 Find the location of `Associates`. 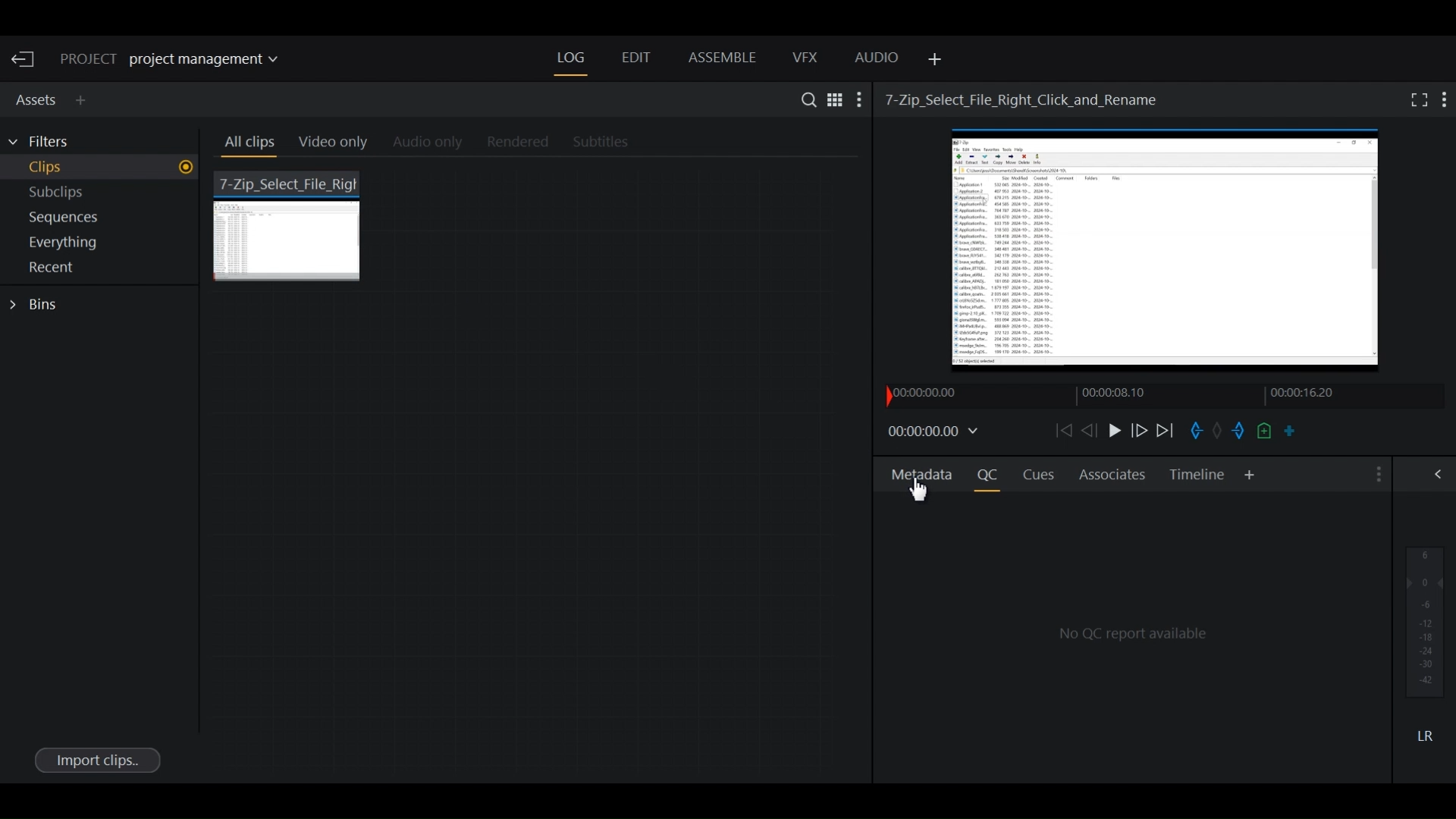

Associates is located at coordinates (1112, 474).